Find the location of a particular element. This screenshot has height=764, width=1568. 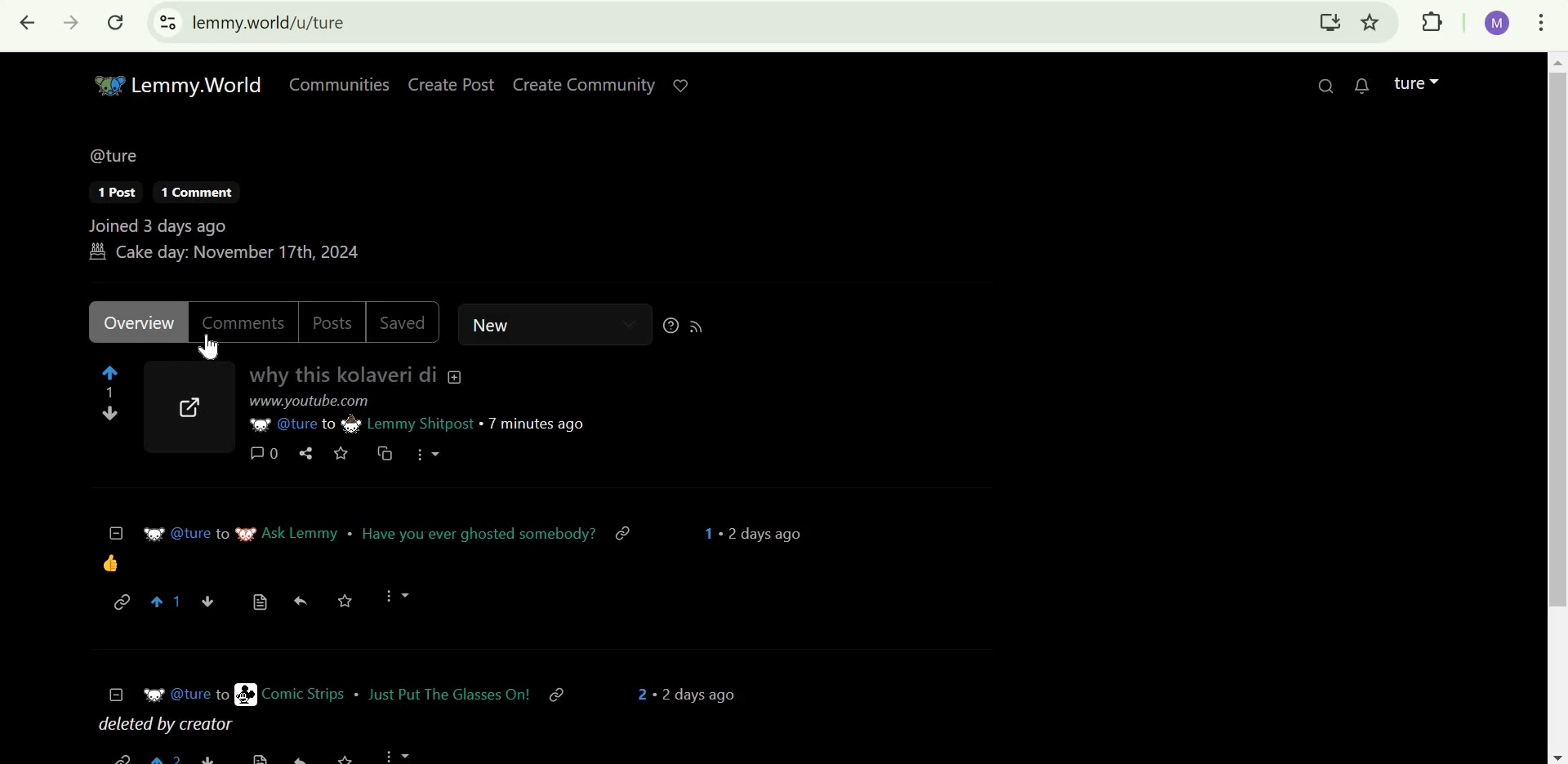

extensions is located at coordinates (1433, 23).